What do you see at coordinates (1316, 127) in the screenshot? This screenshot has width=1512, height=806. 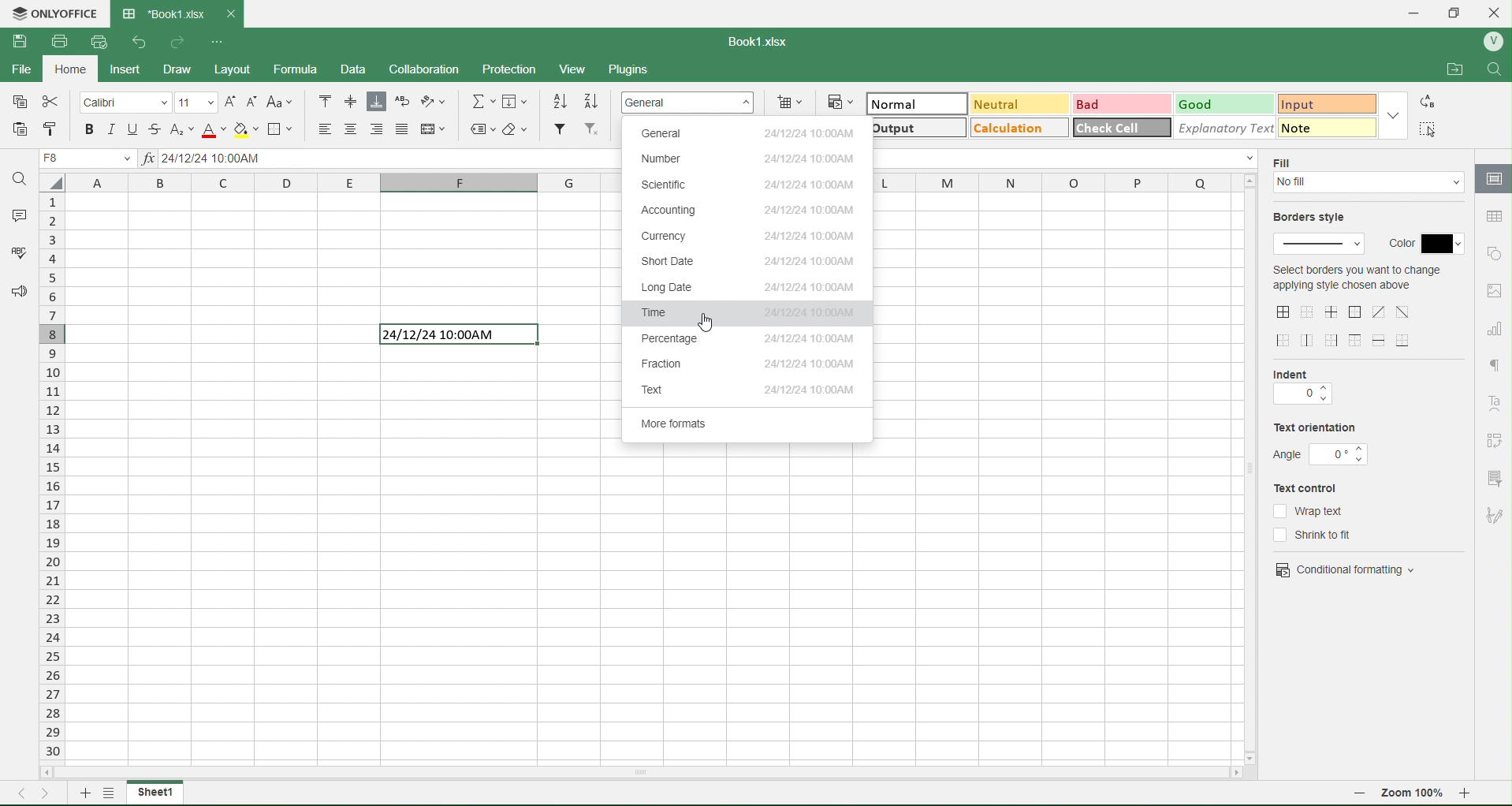 I see `note` at bounding box center [1316, 127].